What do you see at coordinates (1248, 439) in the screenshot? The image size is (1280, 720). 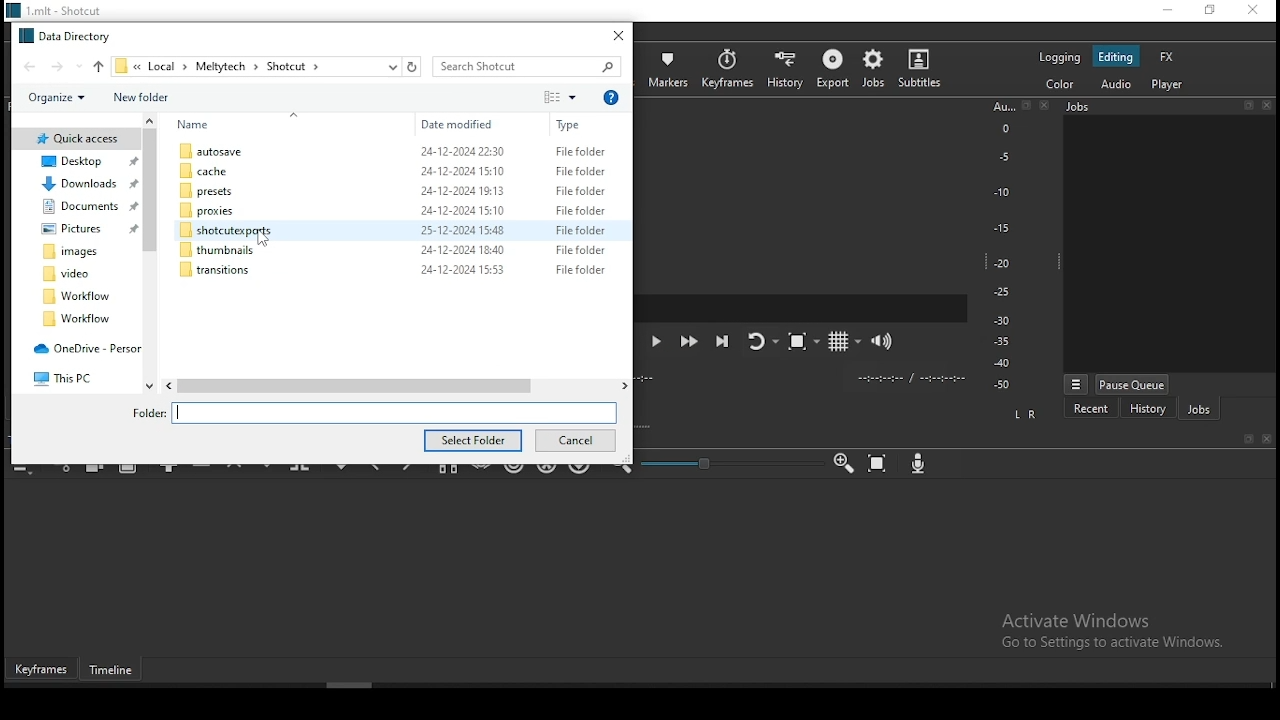 I see `Bookmark` at bounding box center [1248, 439].